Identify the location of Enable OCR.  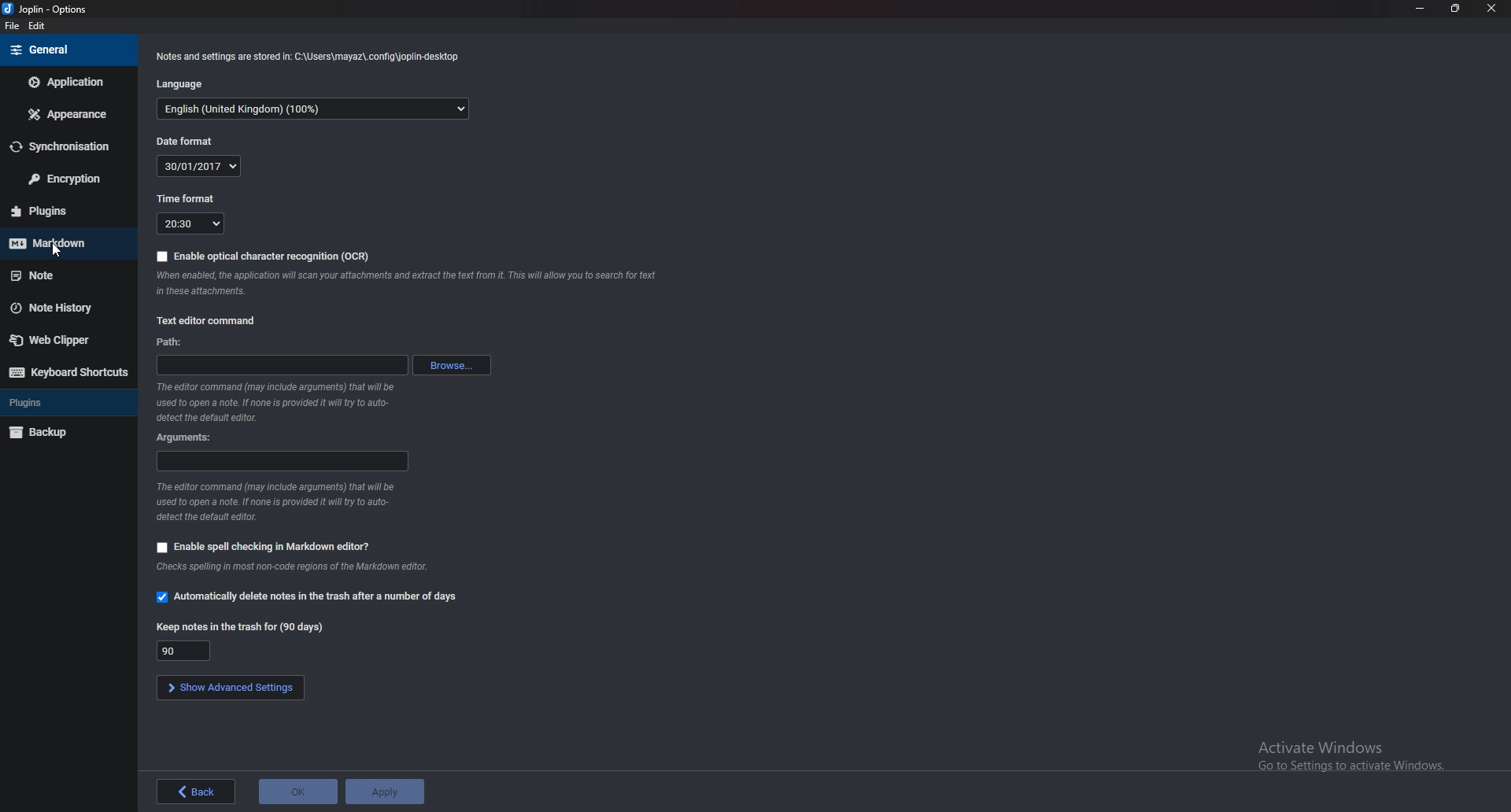
(262, 255).